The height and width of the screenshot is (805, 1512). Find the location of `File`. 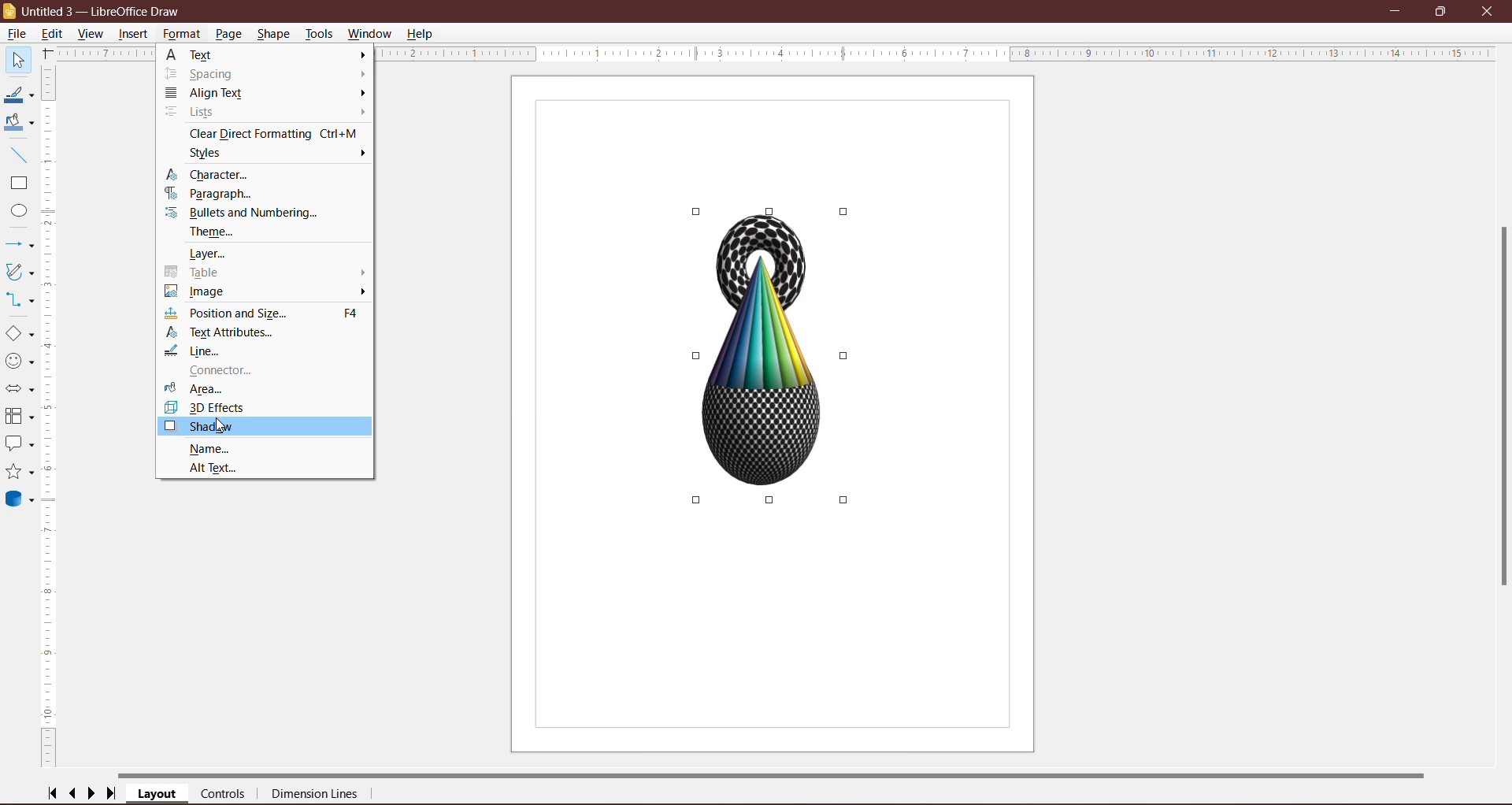

File is located at coordinates (18, 34).